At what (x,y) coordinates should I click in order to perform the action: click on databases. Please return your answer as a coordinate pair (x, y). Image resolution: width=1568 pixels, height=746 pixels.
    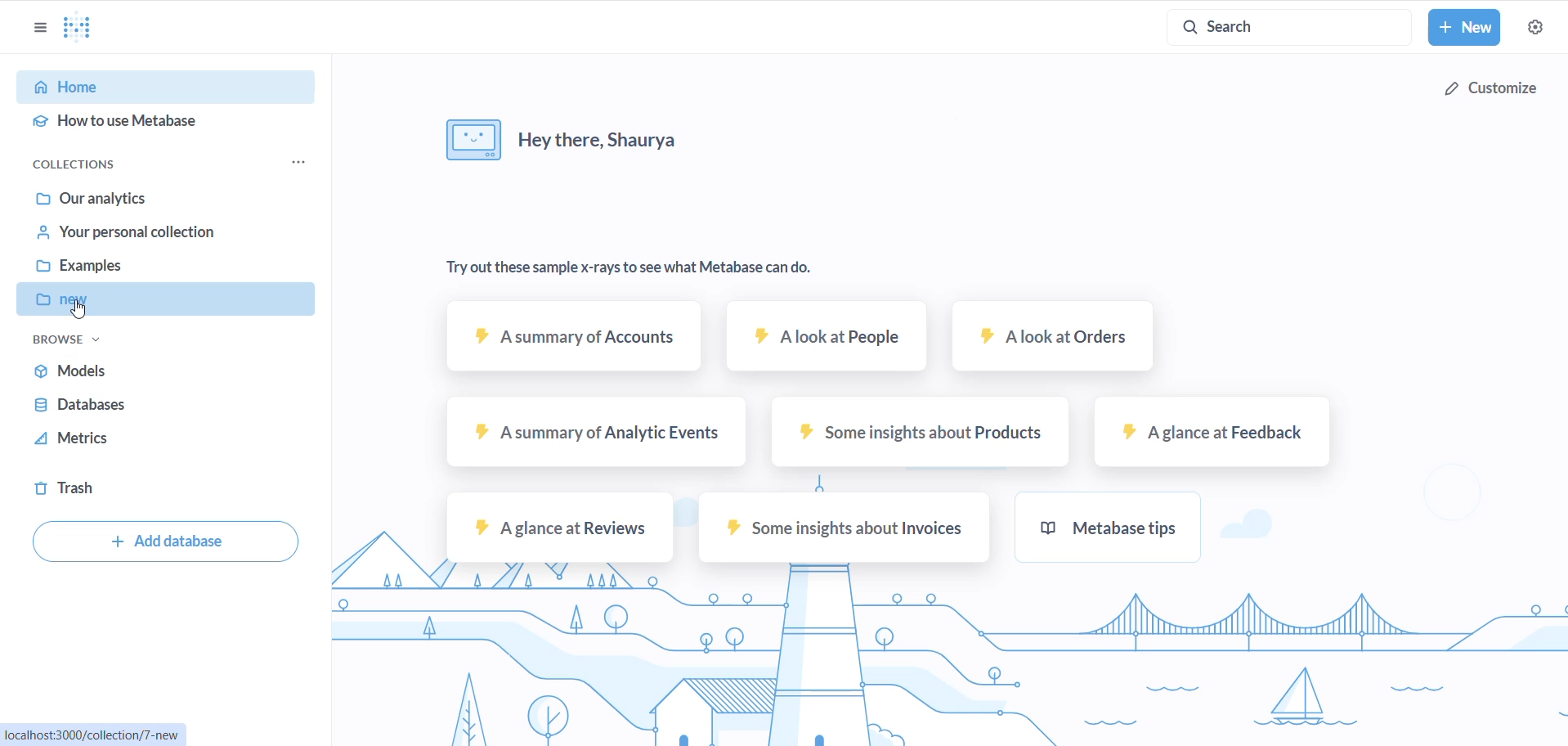
    Looking at the image, I should click on (122, 406).